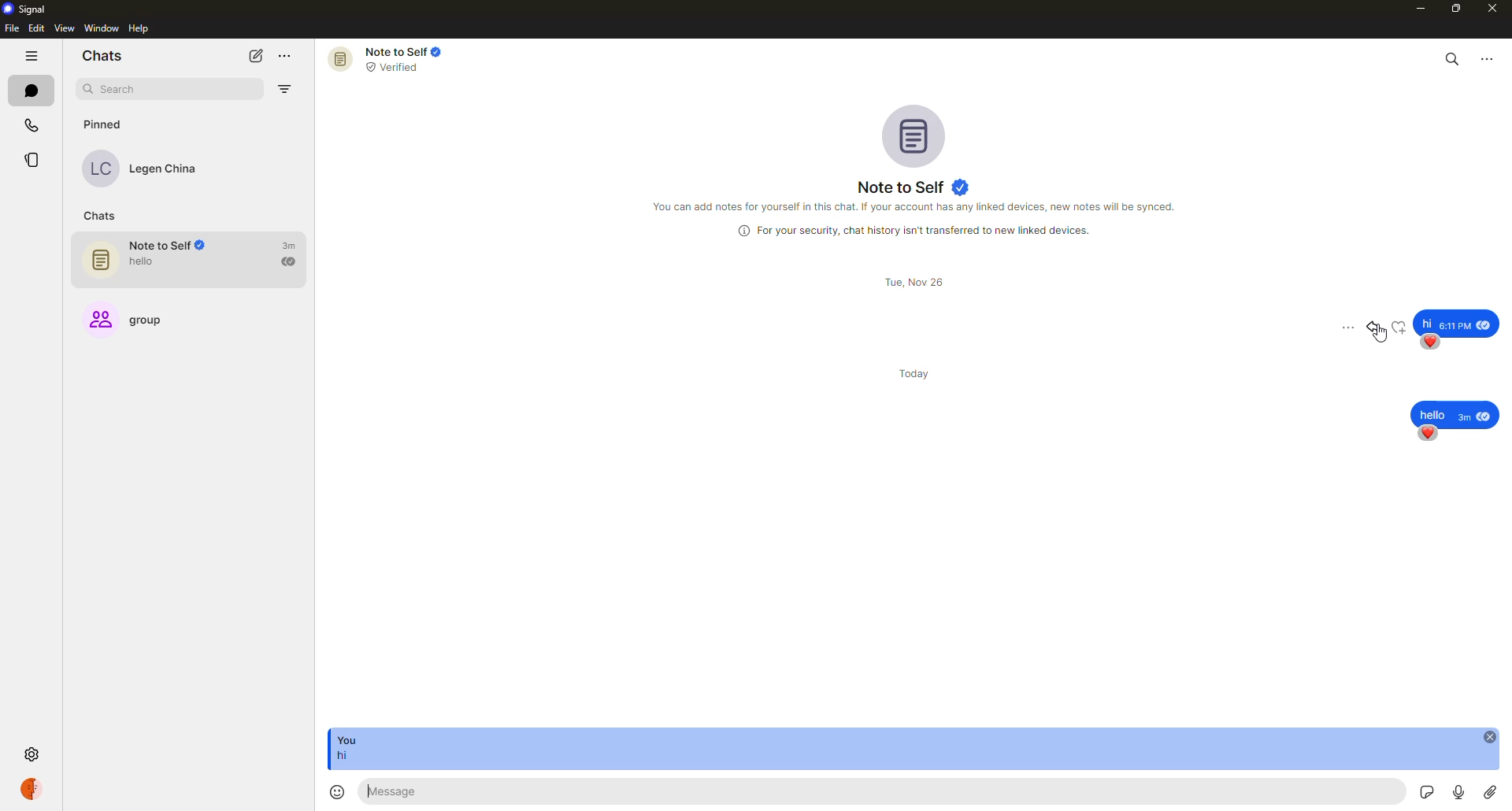 The image size is (1512, 811). Describe the element at coordinates (1454, 791) in the screenshot. I see `record` at that location.